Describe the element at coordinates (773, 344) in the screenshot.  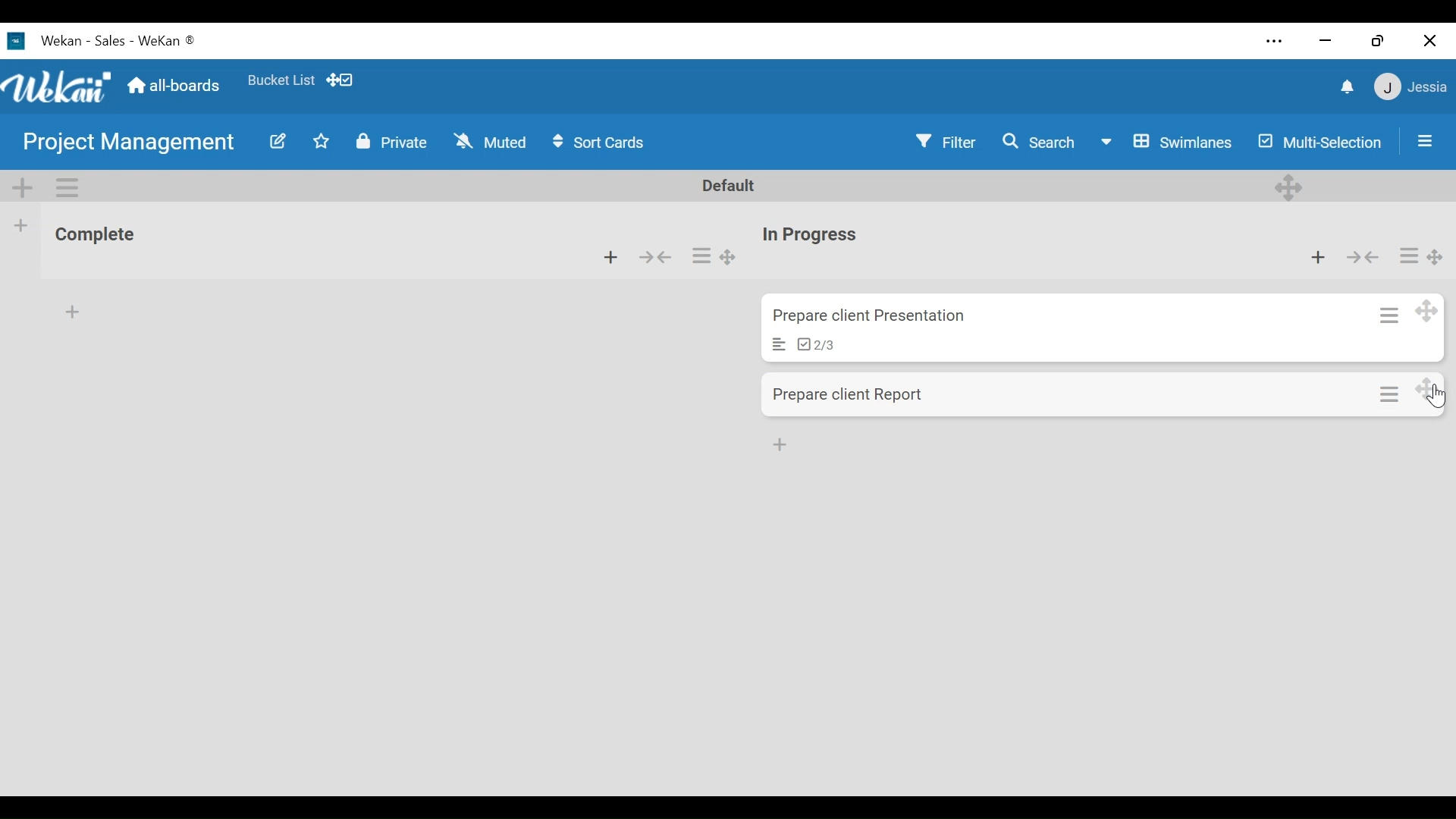
I see `Card Description` at that location.